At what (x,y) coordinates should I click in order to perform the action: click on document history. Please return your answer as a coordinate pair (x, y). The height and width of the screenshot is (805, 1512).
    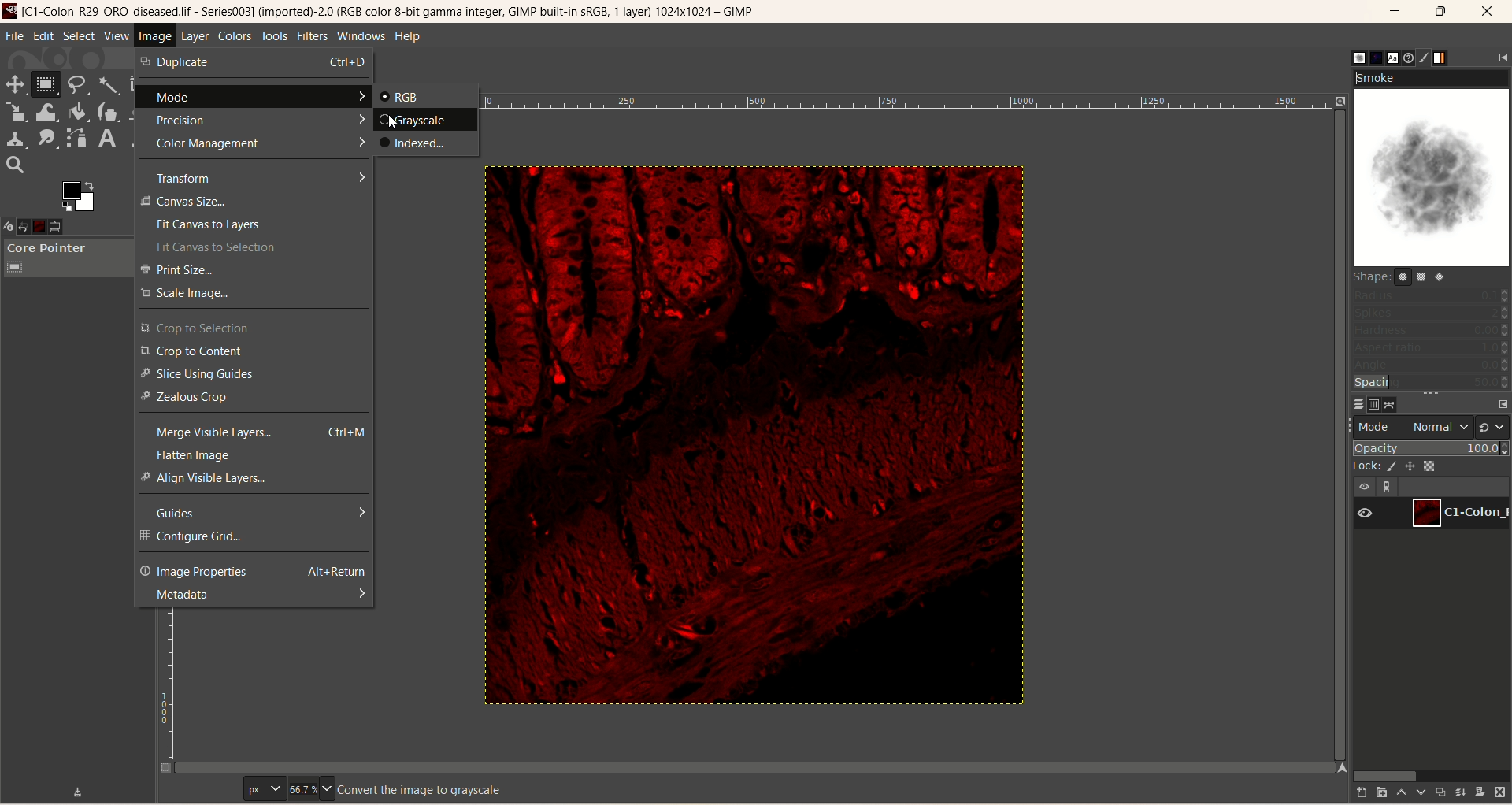
    Looking at the image, I should click on (1404, 57).